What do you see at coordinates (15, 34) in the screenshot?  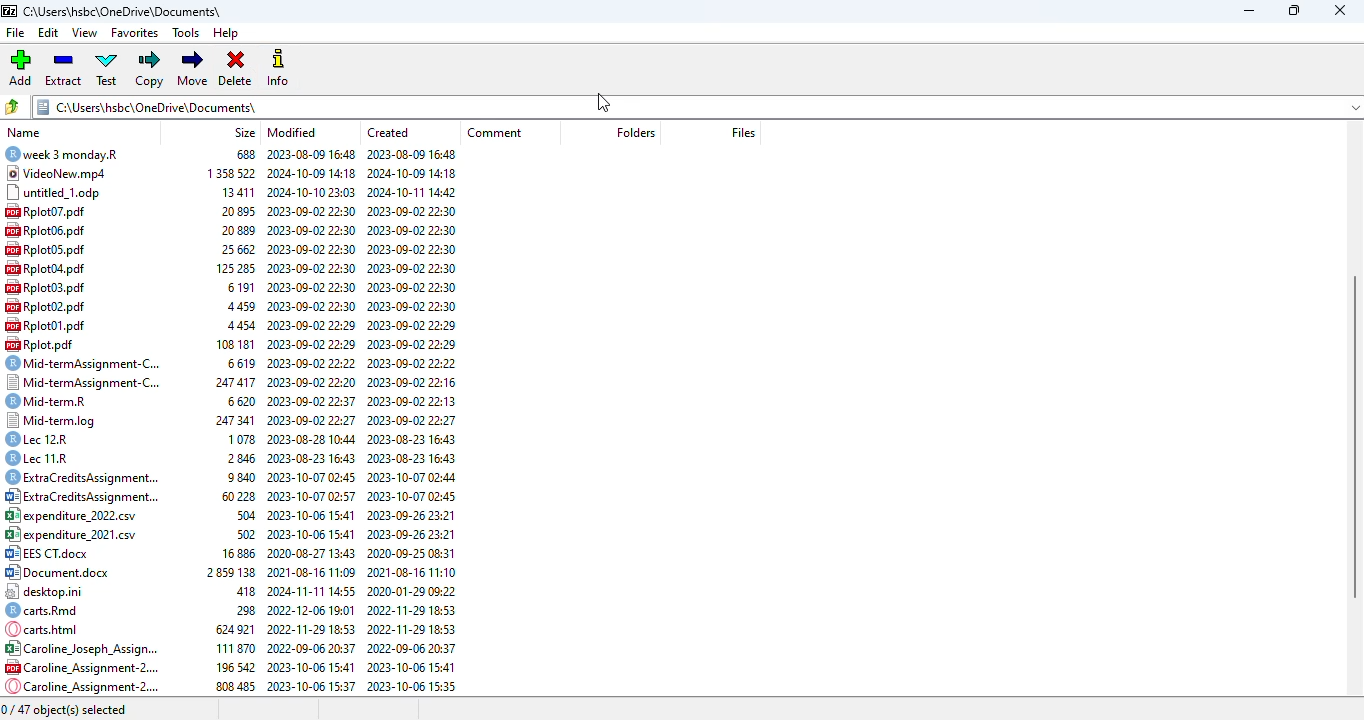 I see `file` at bounding box center [15, 34].